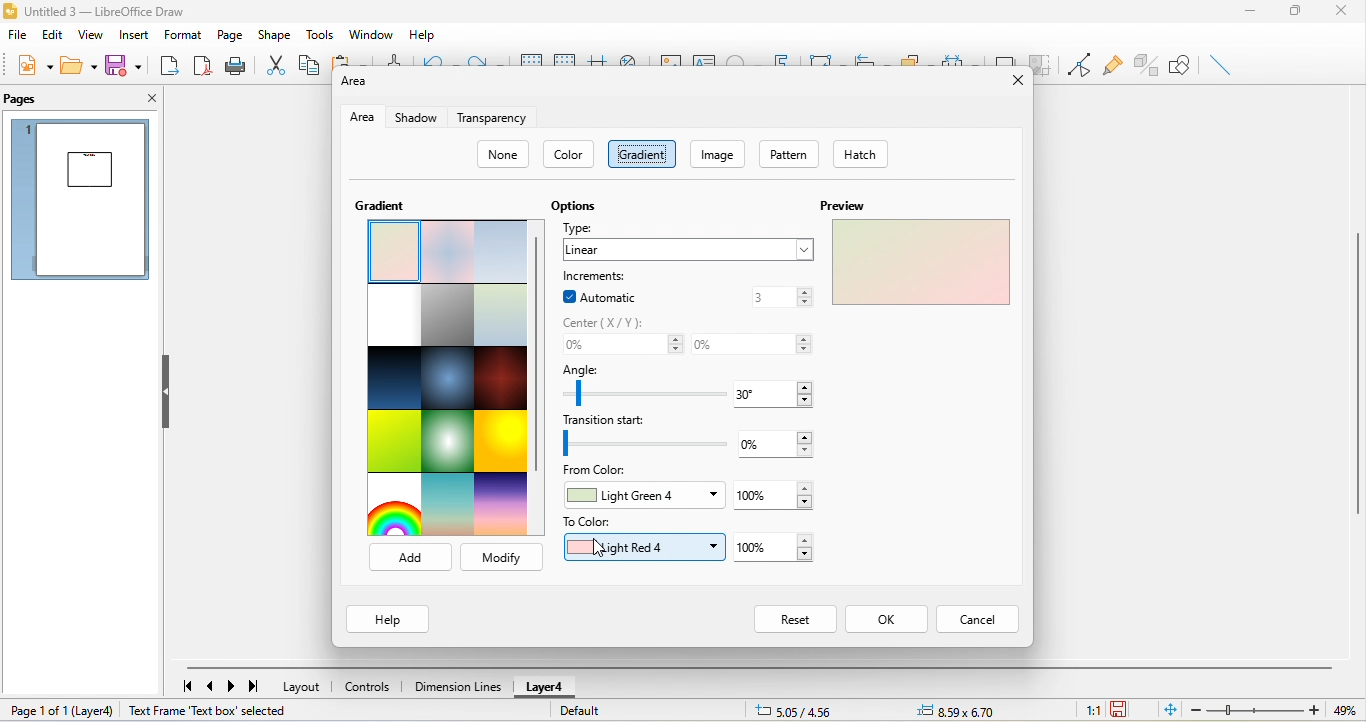 Image resolution: width=1366 pixels, height=722 pixels. I want to click on file, so click(16, 34).